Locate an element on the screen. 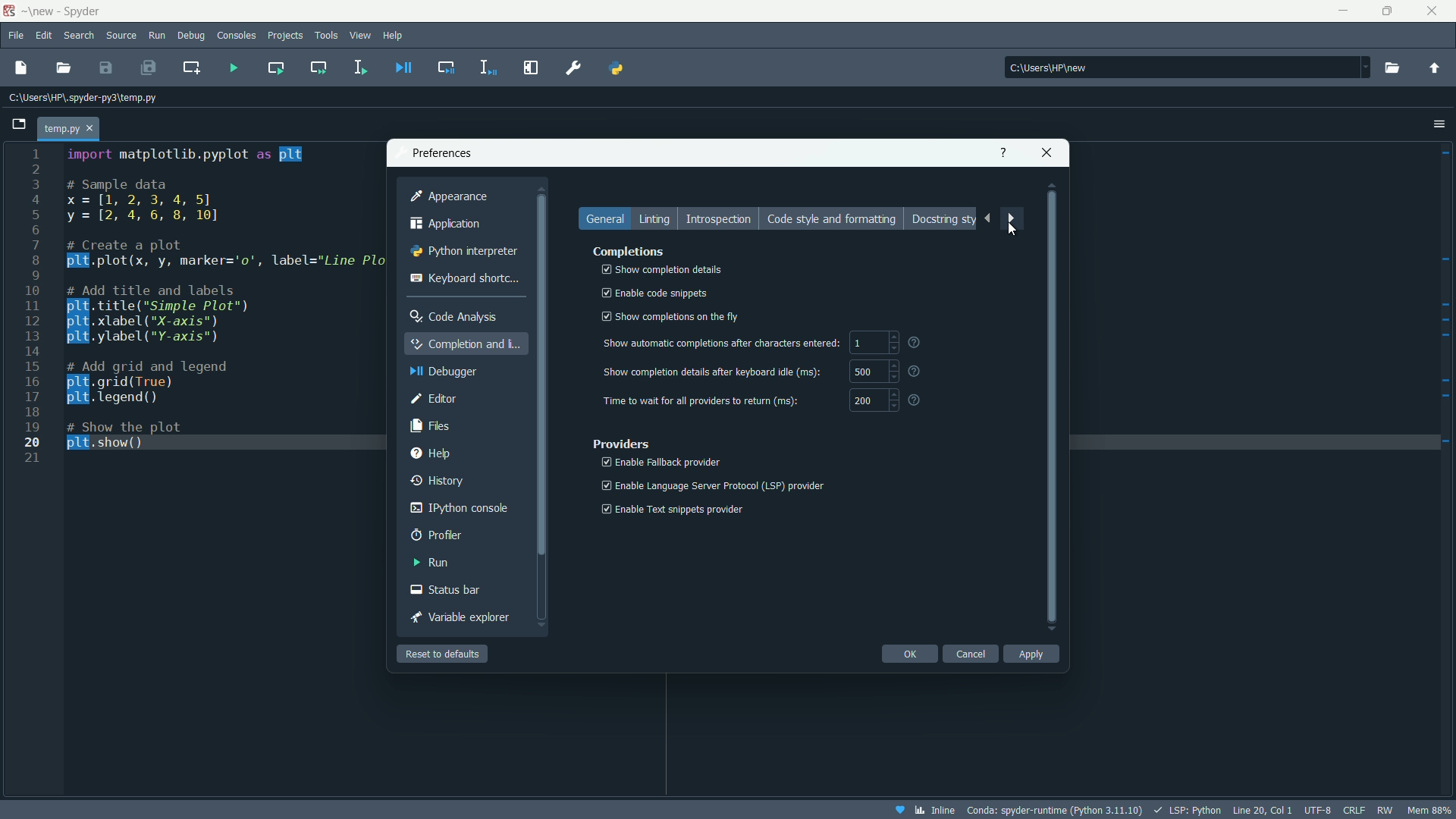 The height and width of the screenshot is (819, 1456). save file is located at coordinates (106, 67).